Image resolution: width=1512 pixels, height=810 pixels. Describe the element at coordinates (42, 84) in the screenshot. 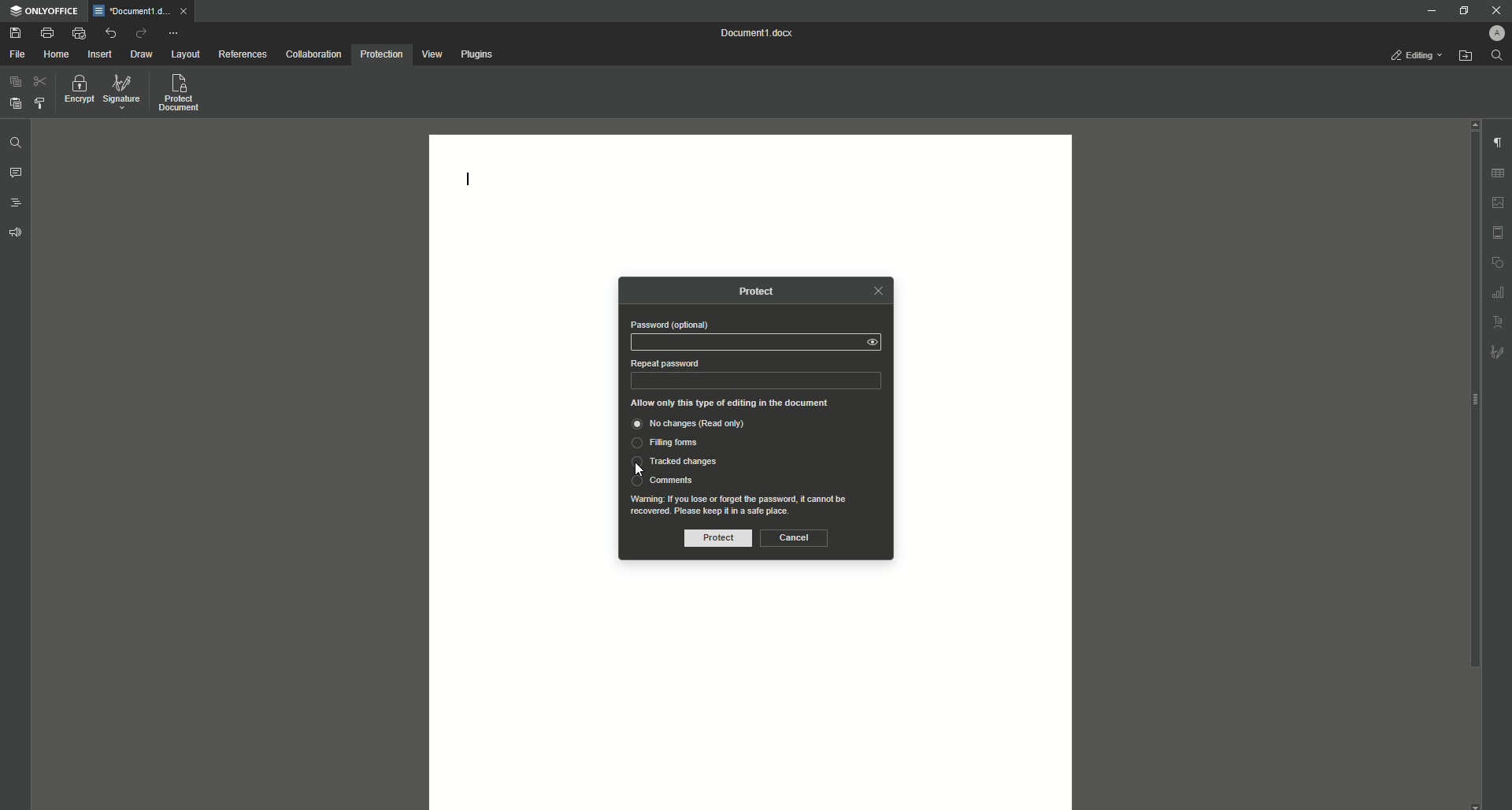

I see `Cut` at that location.